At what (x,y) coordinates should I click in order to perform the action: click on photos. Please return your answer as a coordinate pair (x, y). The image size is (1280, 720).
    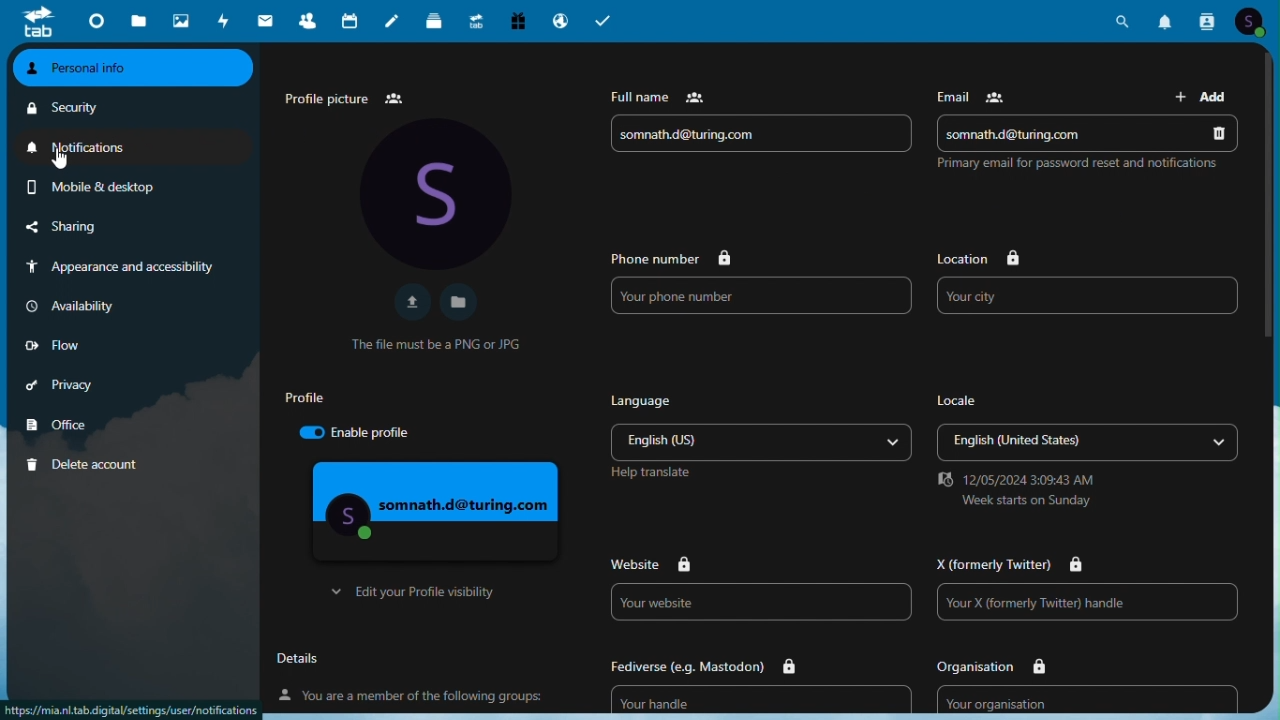
    Looking at the image, I should click on (180, 19).